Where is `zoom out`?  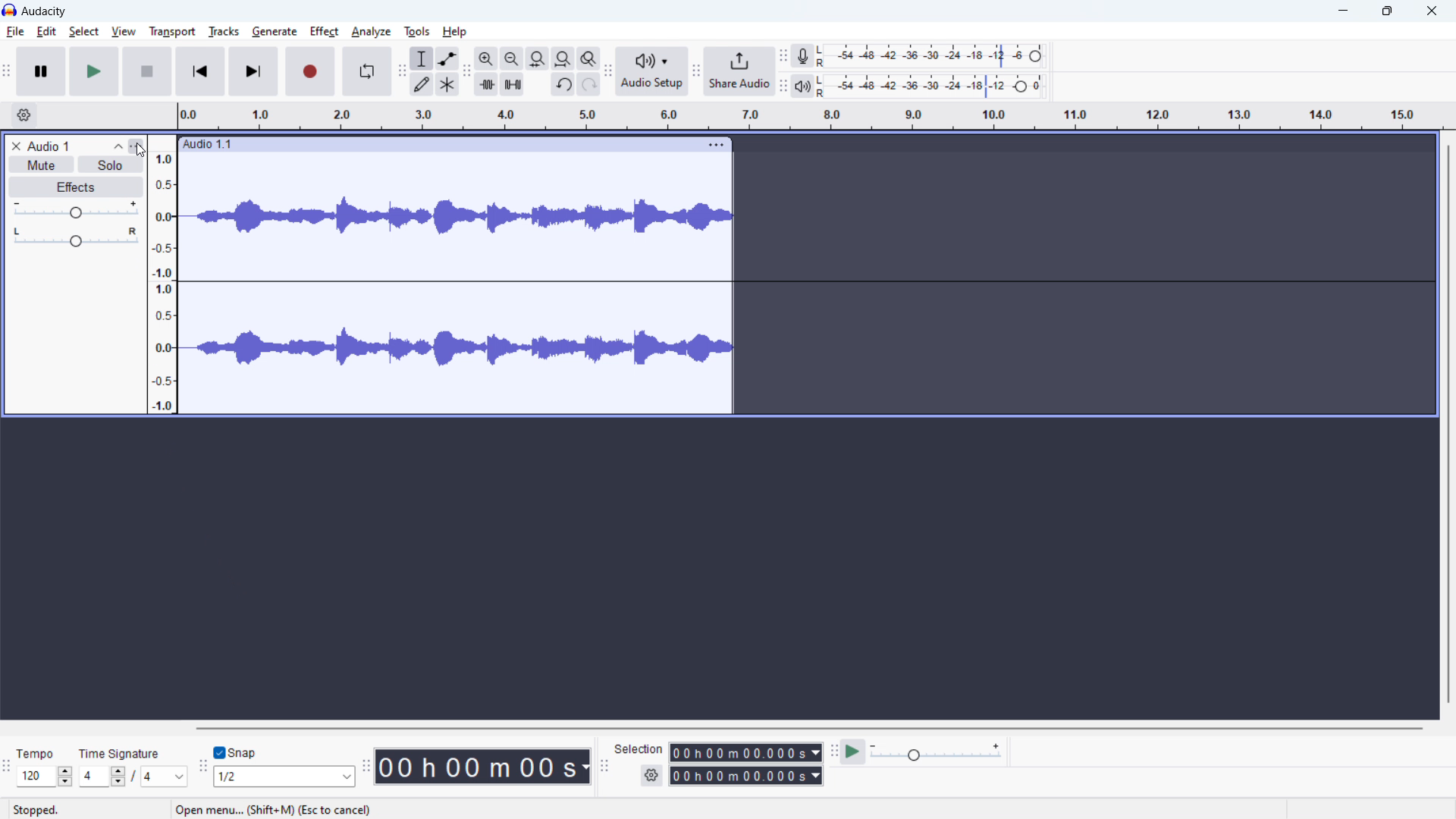
zoom out is located at coordinates (511, 58).